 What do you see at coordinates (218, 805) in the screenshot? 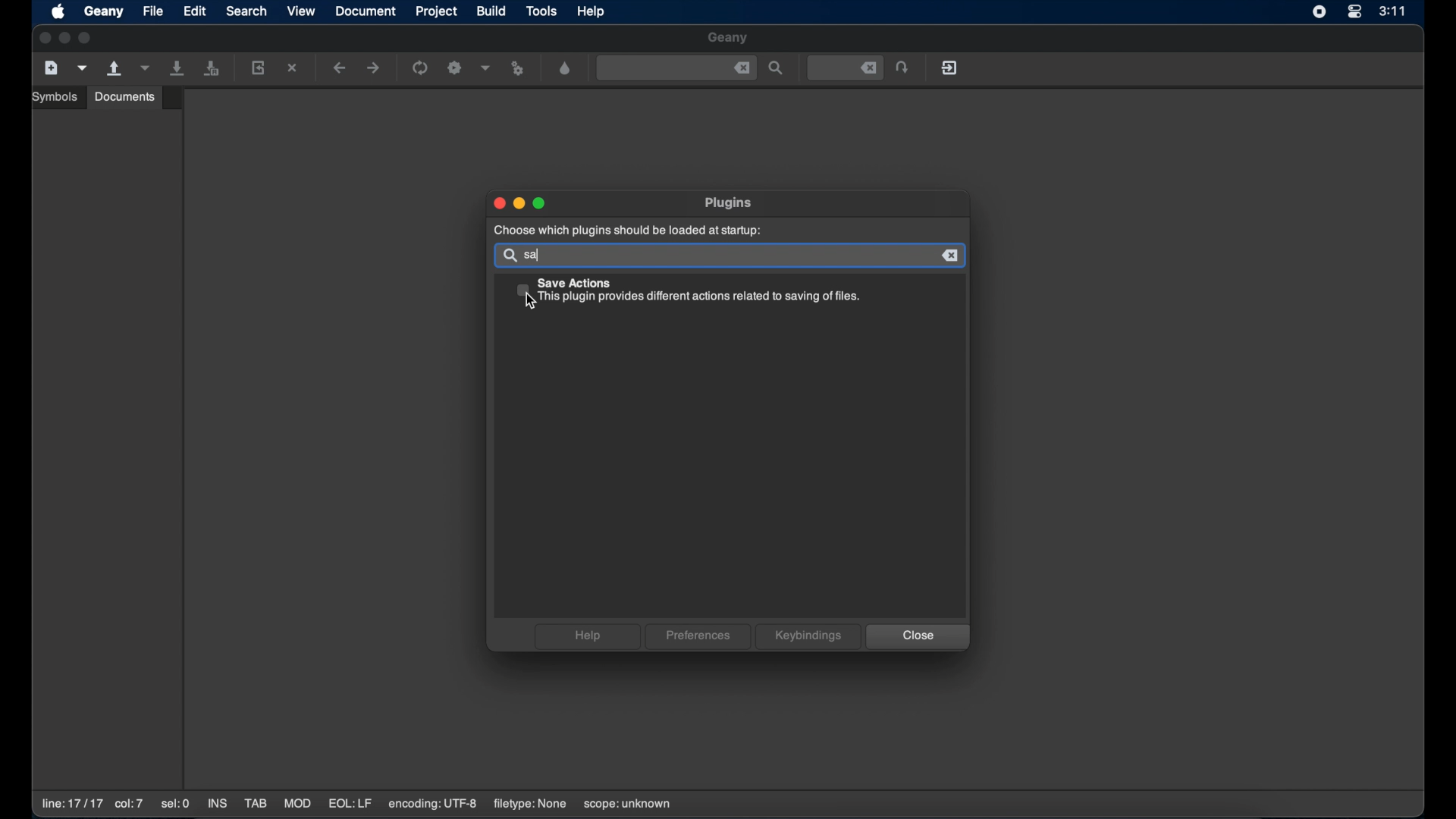
I see `INS` at bounding box center [218, 805].